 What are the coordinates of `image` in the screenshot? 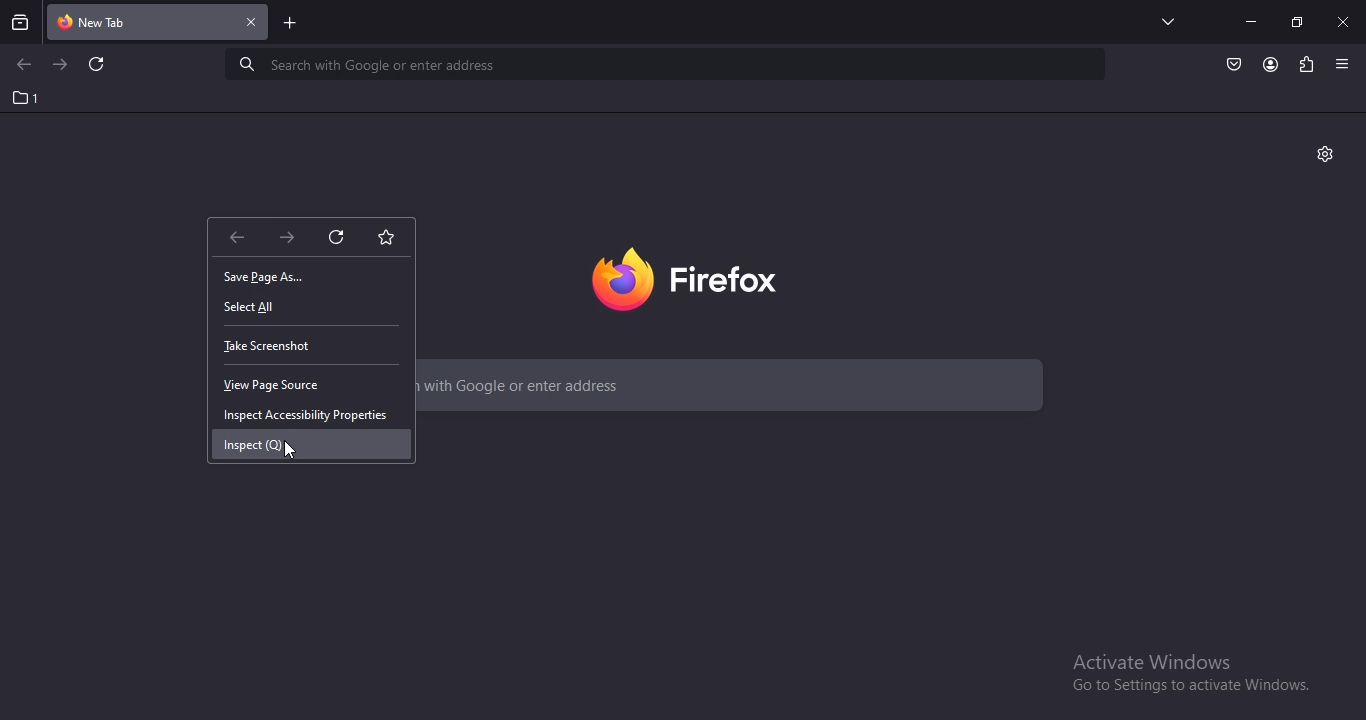 It's located at (706, 275).